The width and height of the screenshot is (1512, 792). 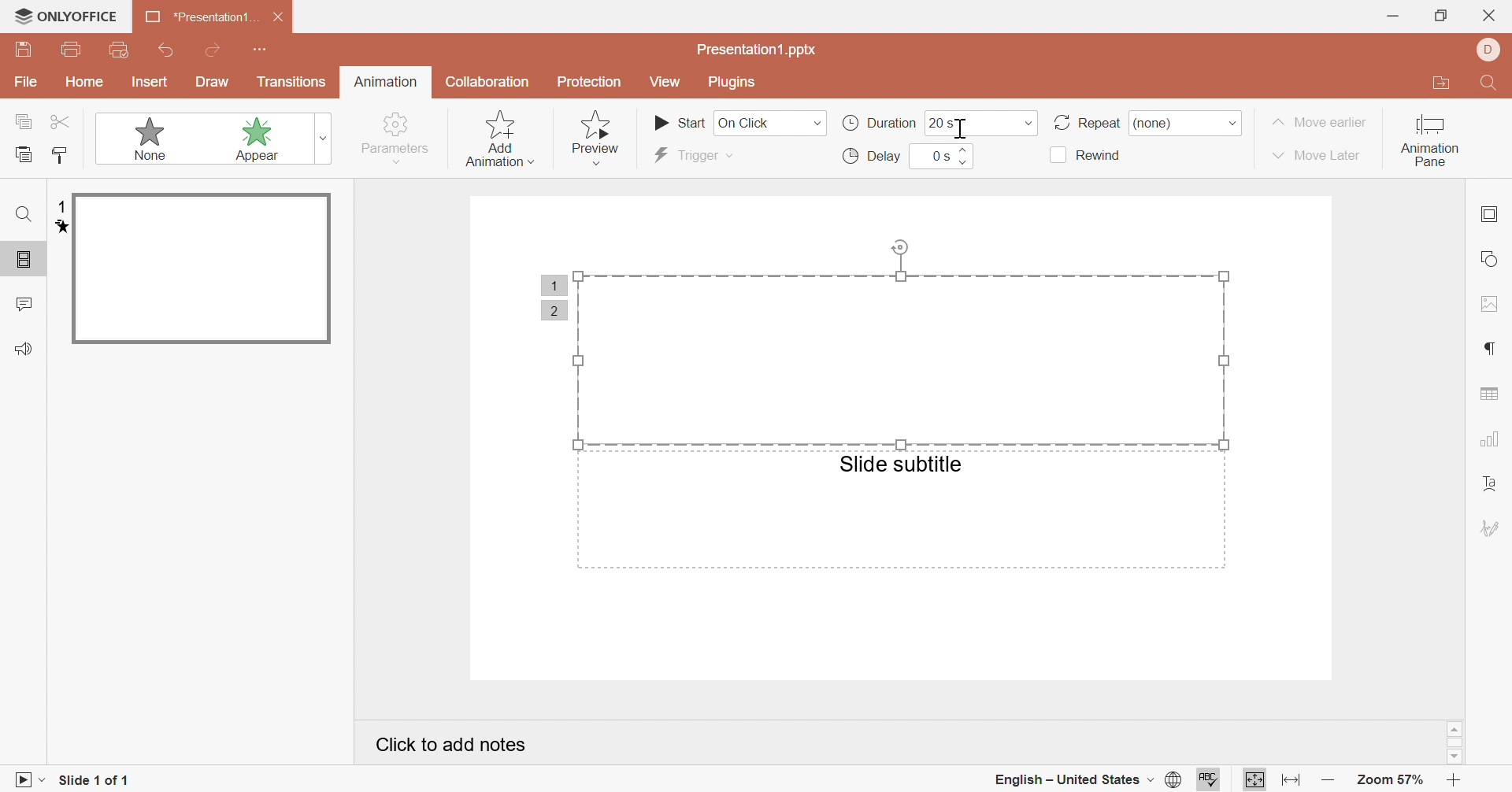 What do you see at coordinates (665, 81) in the screenshot?
I see `view` at bounding box center [665, 81].